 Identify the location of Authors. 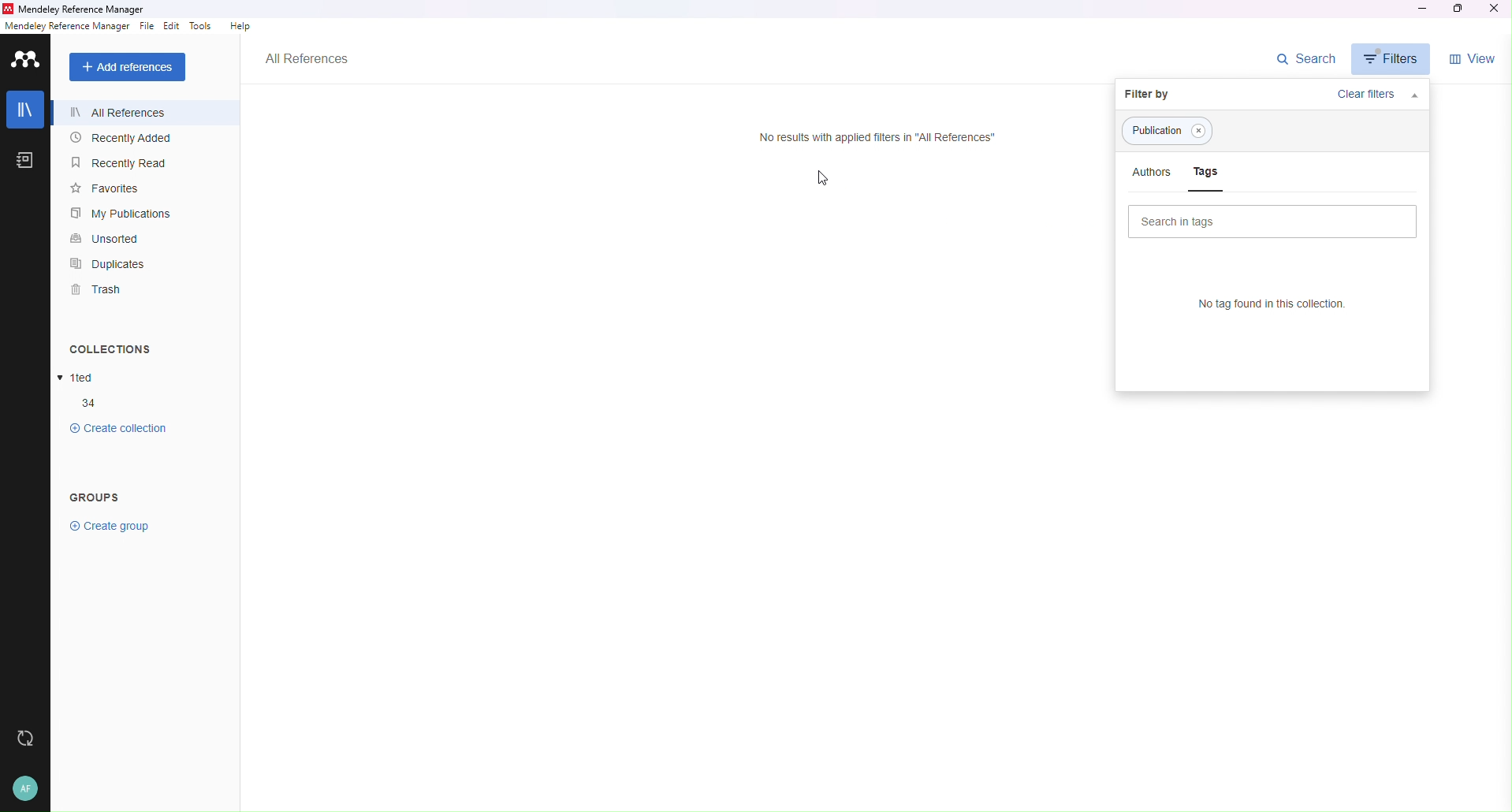
(1156, 131).